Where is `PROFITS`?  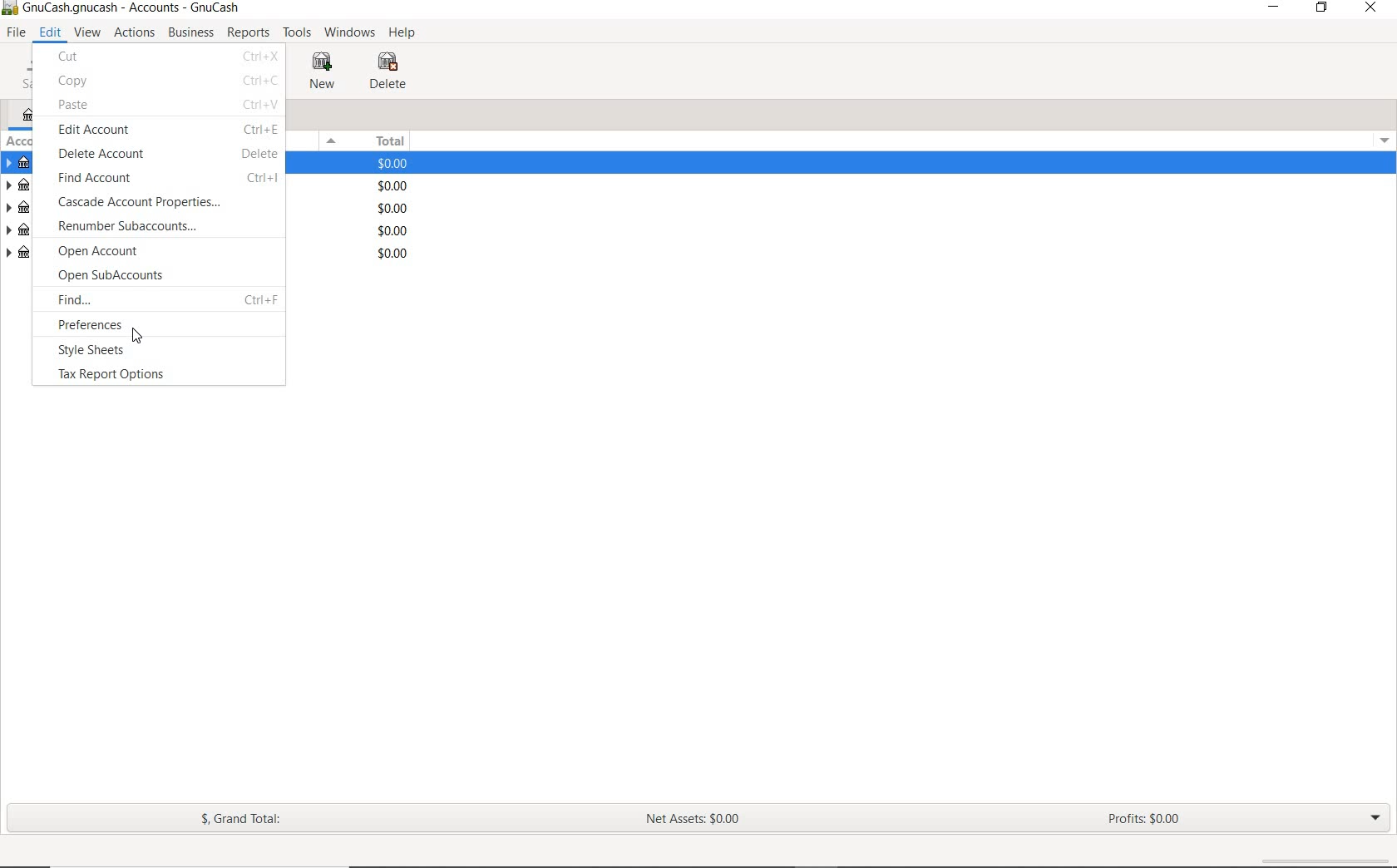 PROFITS is located at coordinates (1151, 821).